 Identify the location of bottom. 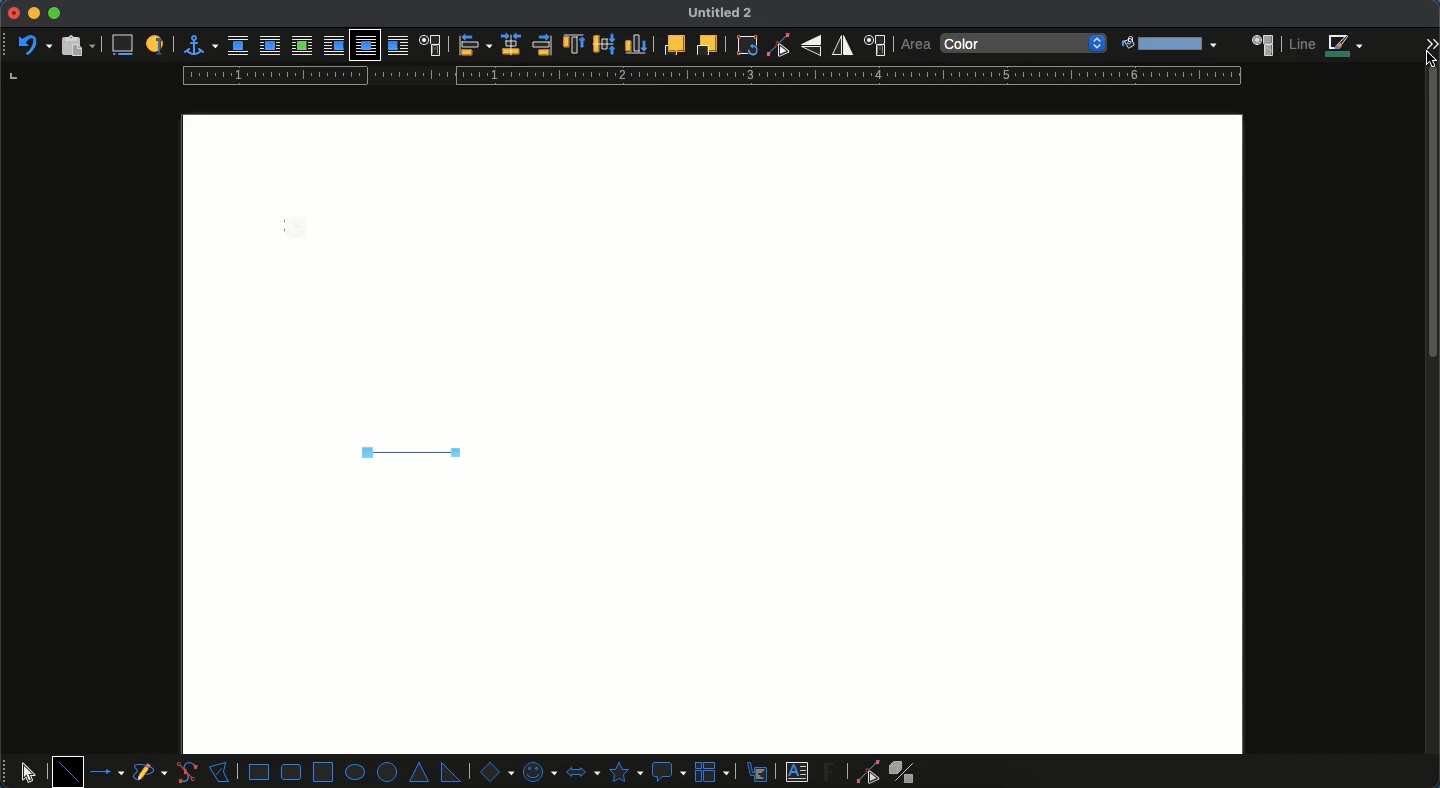
(637, 44).